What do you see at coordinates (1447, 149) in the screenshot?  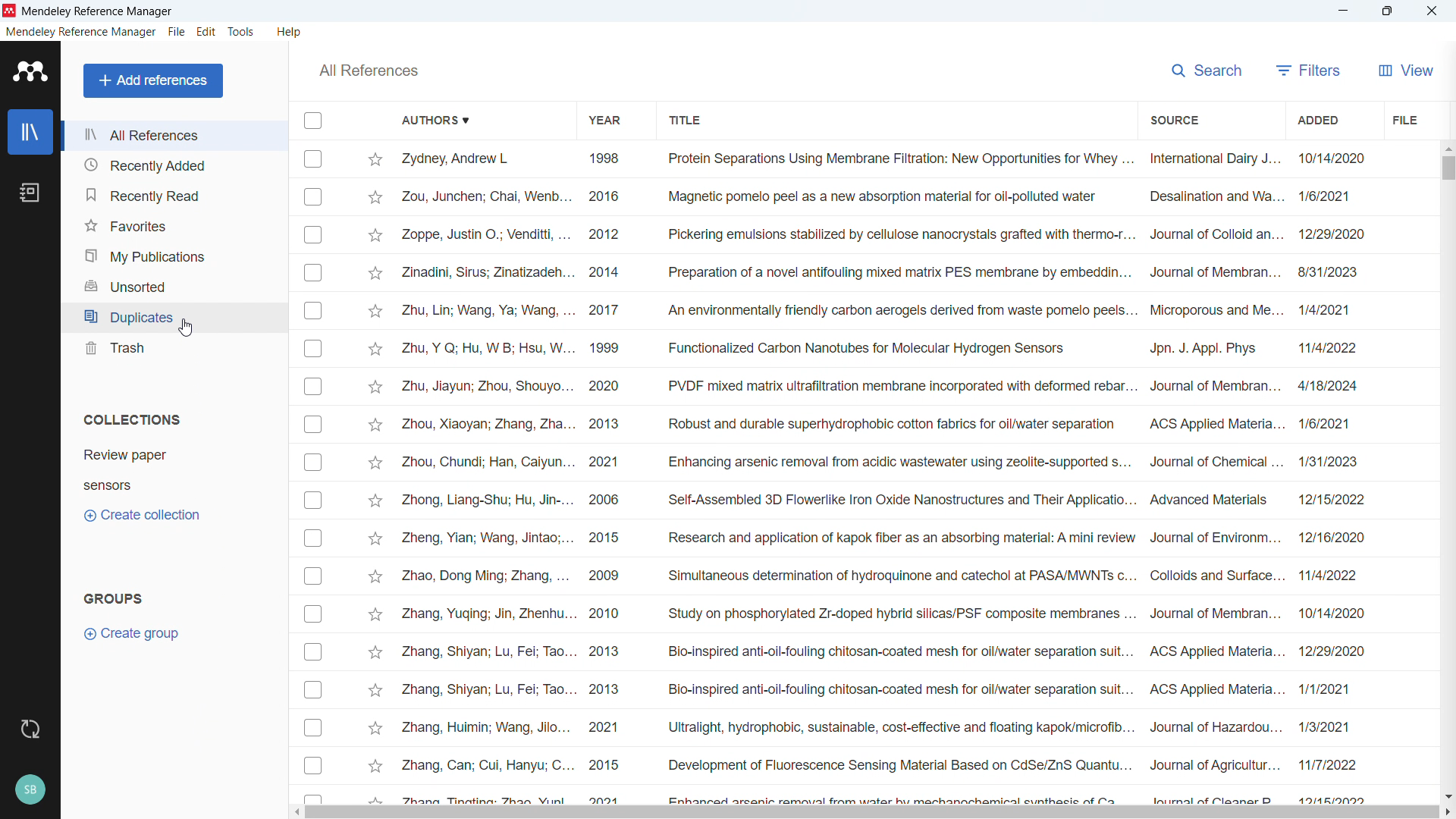 I see `Scroll up ` at bounding box center [1447, 149].